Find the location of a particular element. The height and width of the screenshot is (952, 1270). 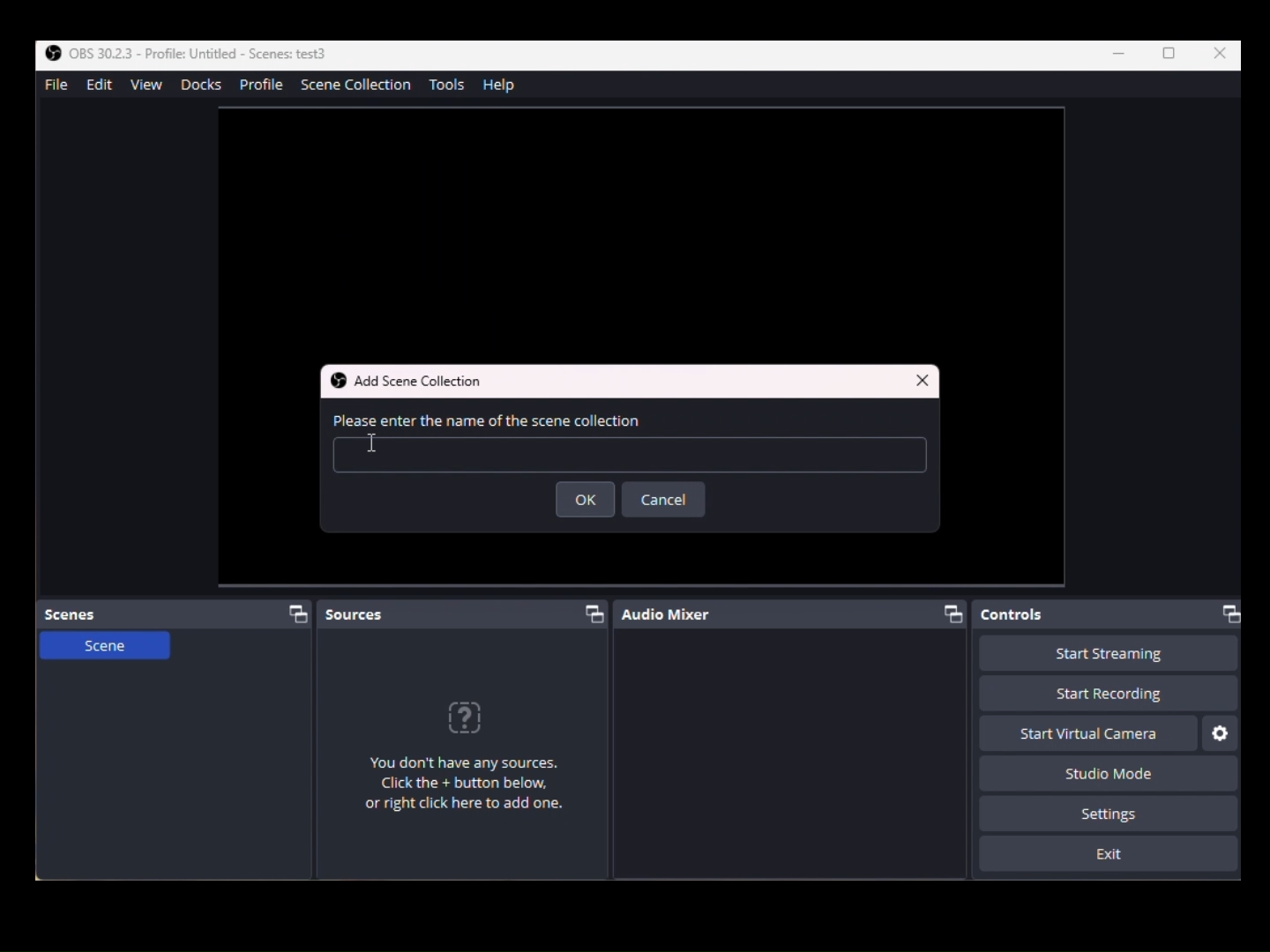

Profile is located at coordinates (262, 86).